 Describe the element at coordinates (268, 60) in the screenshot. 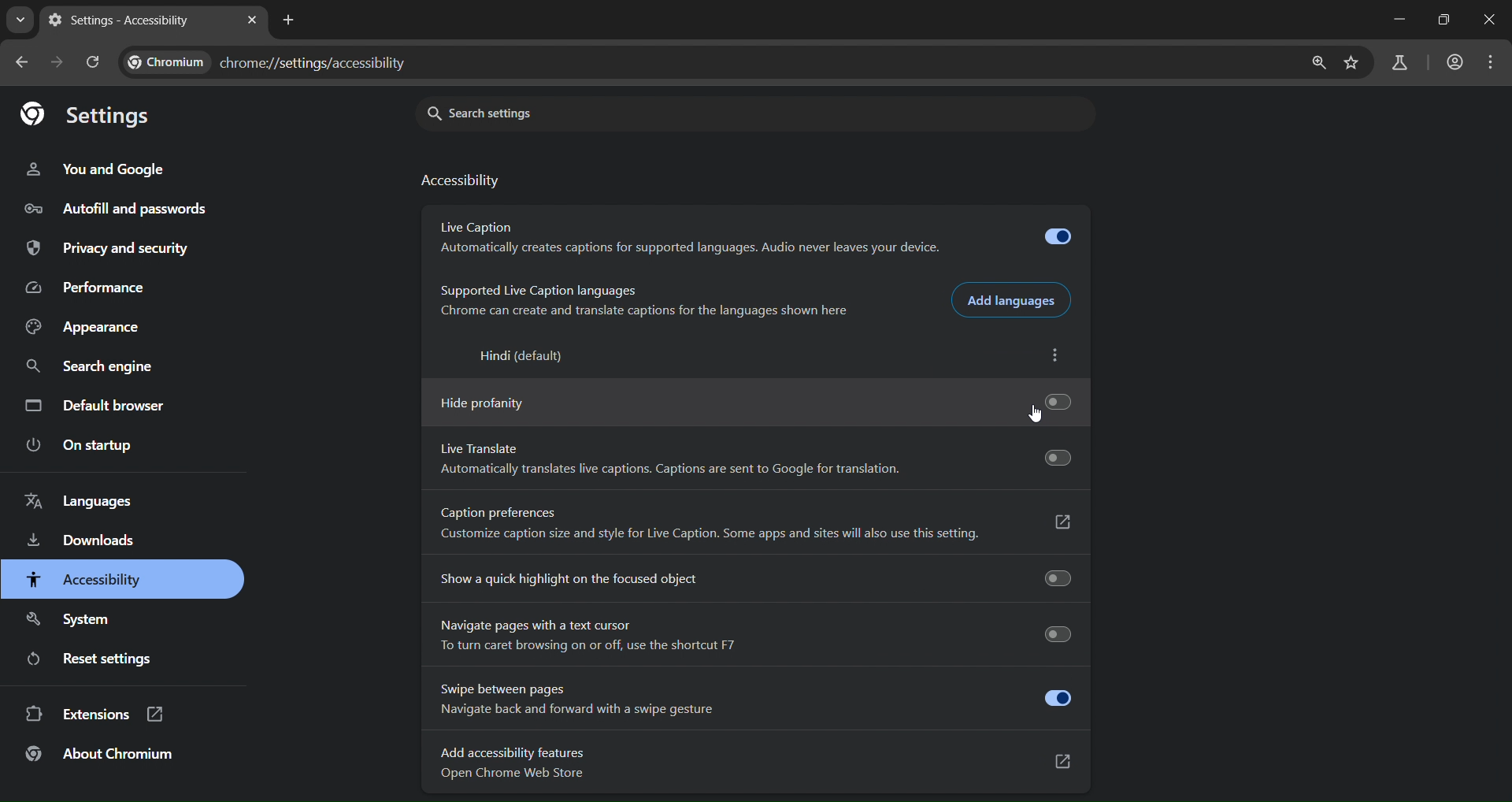

I see `text` at that location.